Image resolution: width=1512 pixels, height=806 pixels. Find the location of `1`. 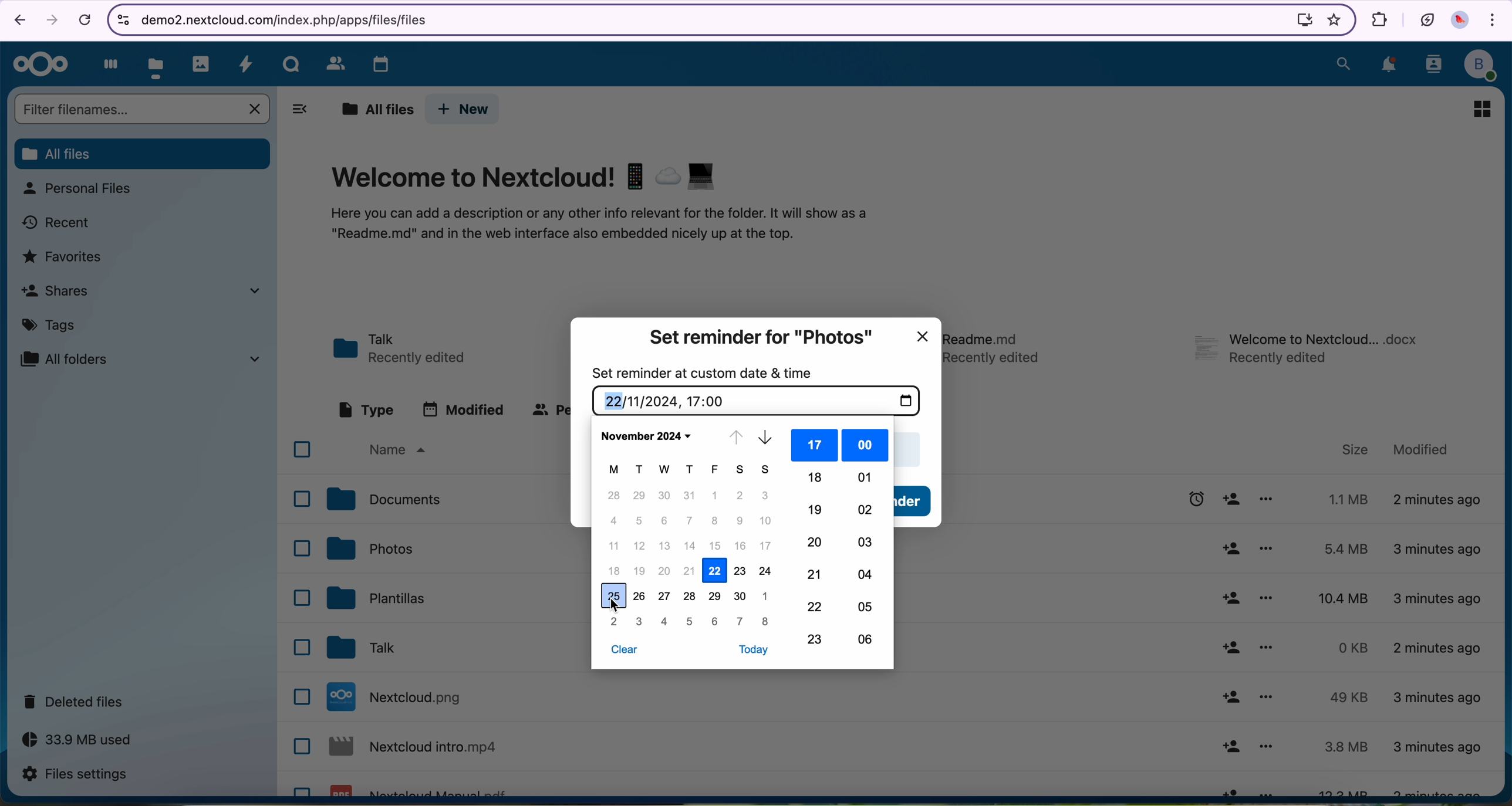

1 is located at coordinates (715, 496).